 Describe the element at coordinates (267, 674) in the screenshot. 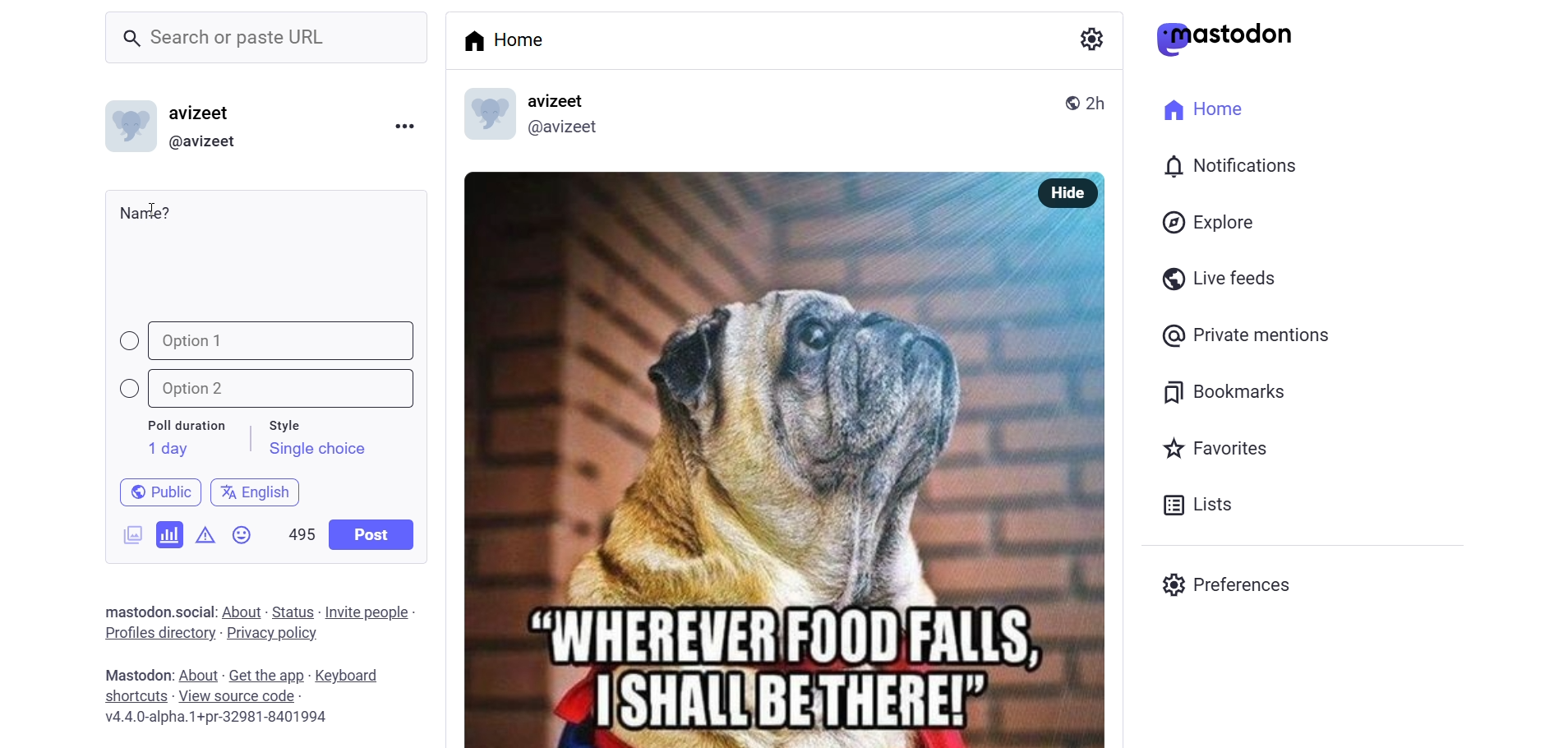

I see `get the app` at that location.